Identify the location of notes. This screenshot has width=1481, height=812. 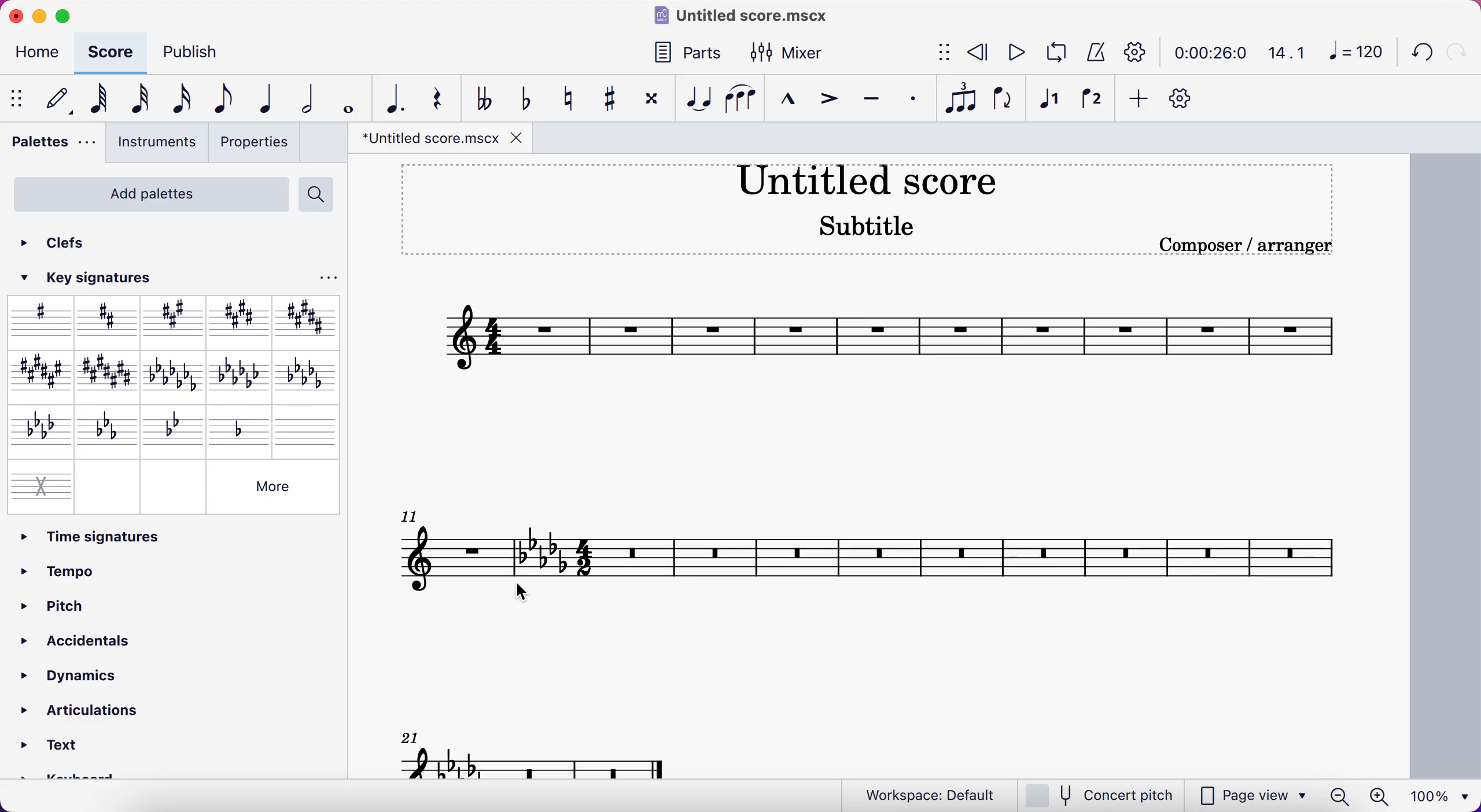
(541, 753).